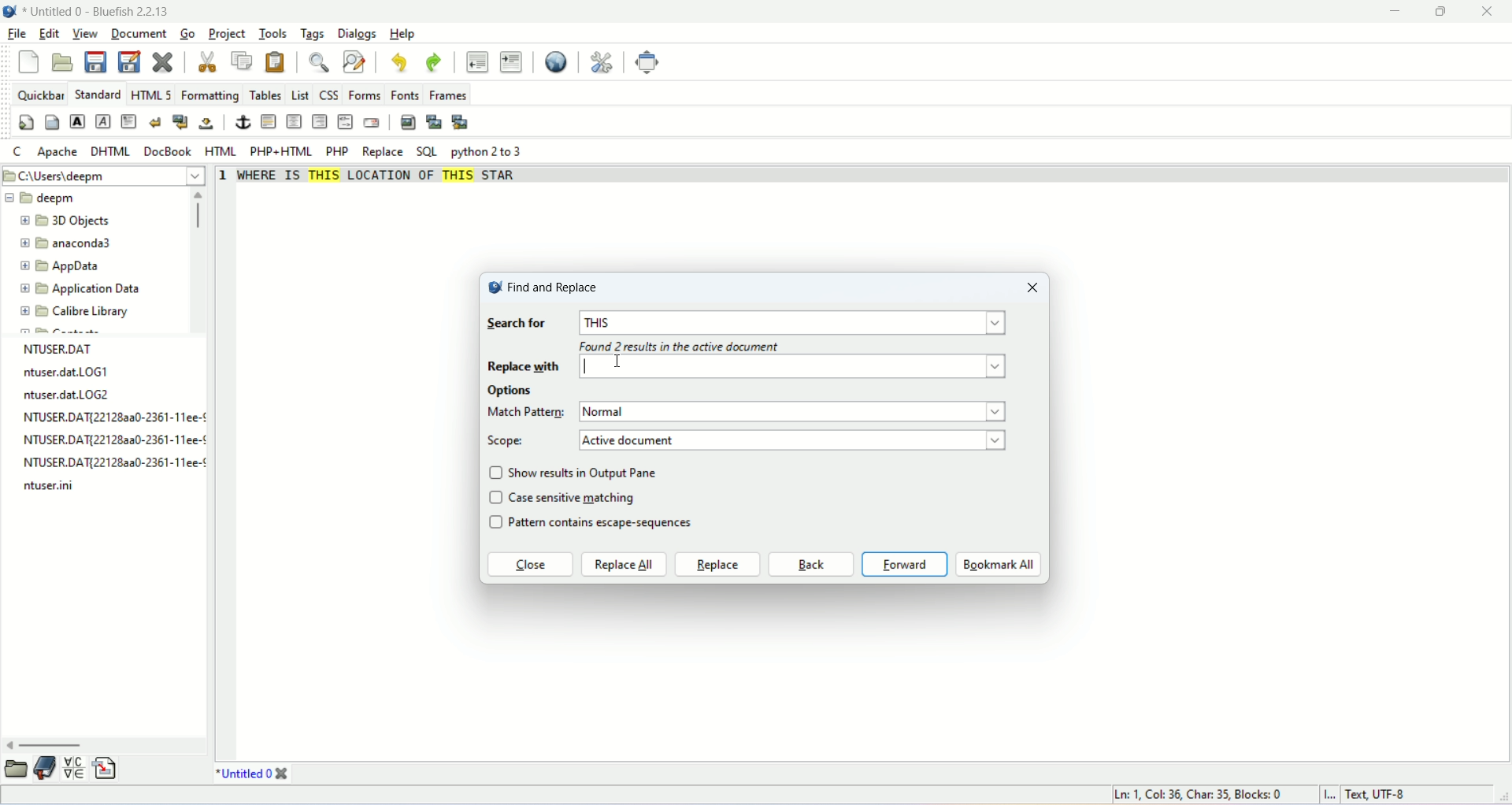 Image resolution: width=1512 pixels, height=805 pixels. Describe the element at coordinates (384, 180) in the screenshot. I see `WHERE IS THIS LOCATION OF THIS STAR` at that location.